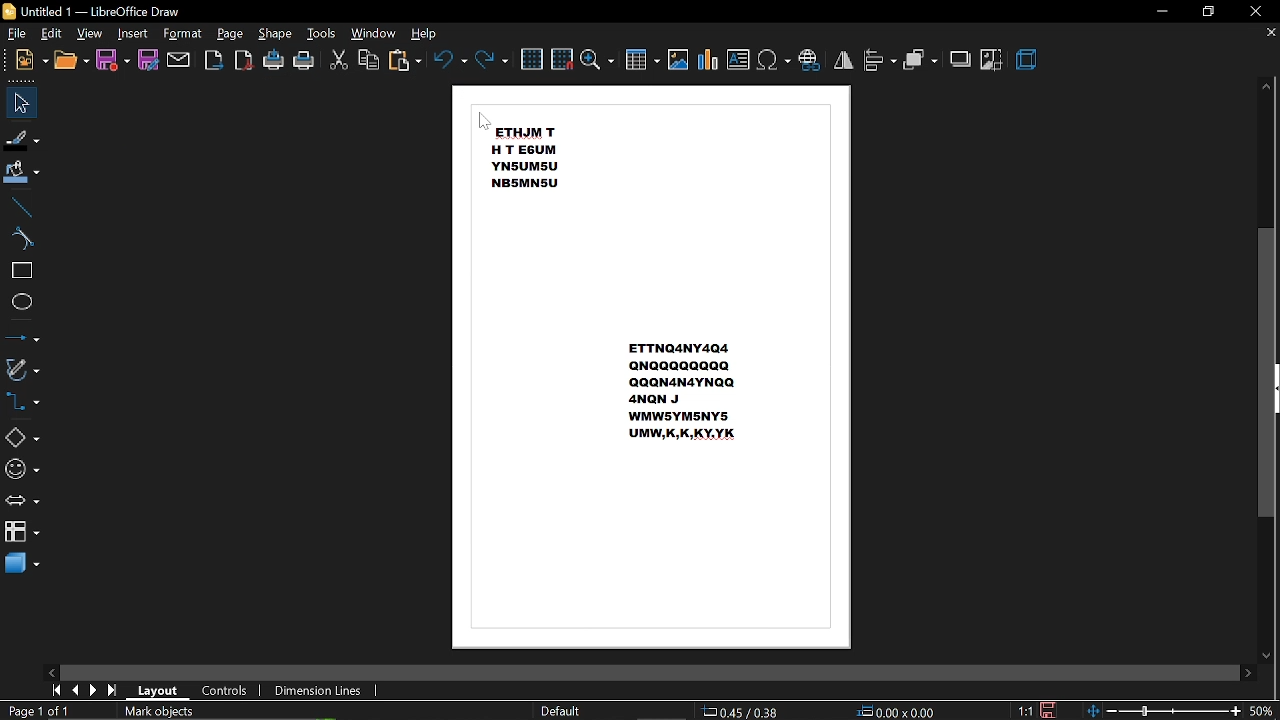  Describe the element at coordinates (922, 60) in the screenshot. I see `arrange` at that location.